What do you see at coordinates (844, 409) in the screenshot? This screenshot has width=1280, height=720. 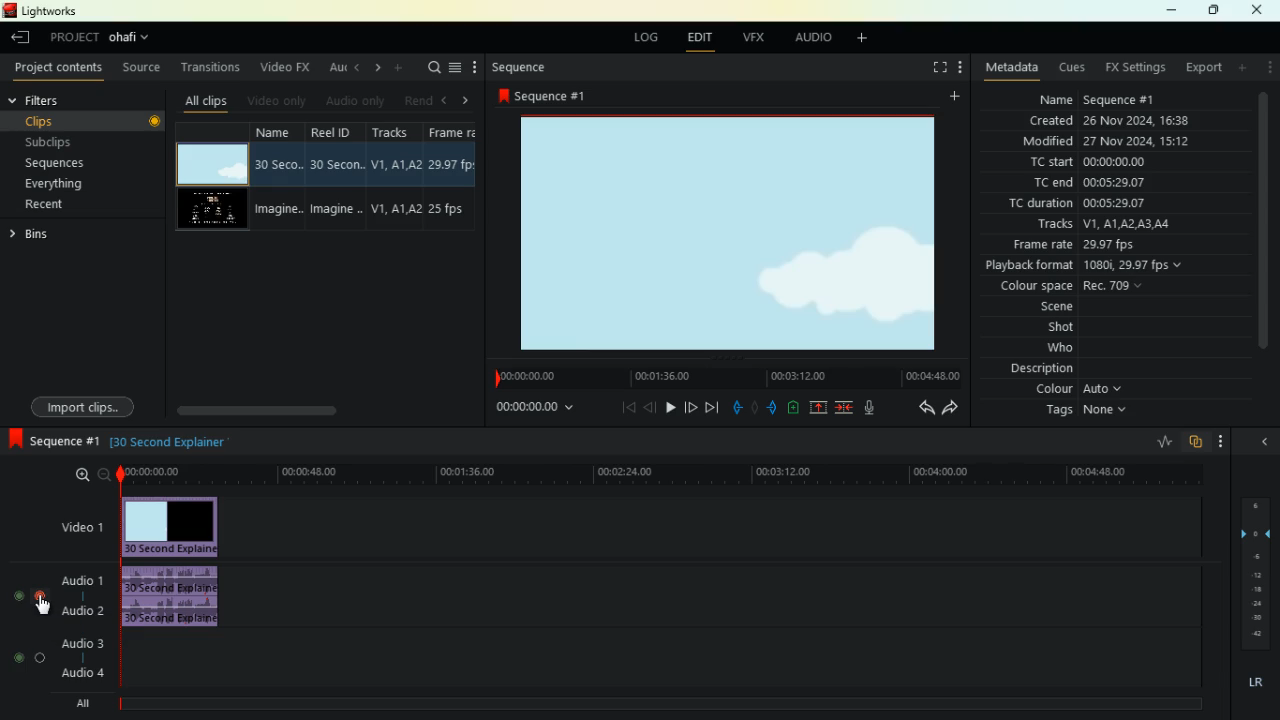 I see `merge` at bounding box center [844, 409].